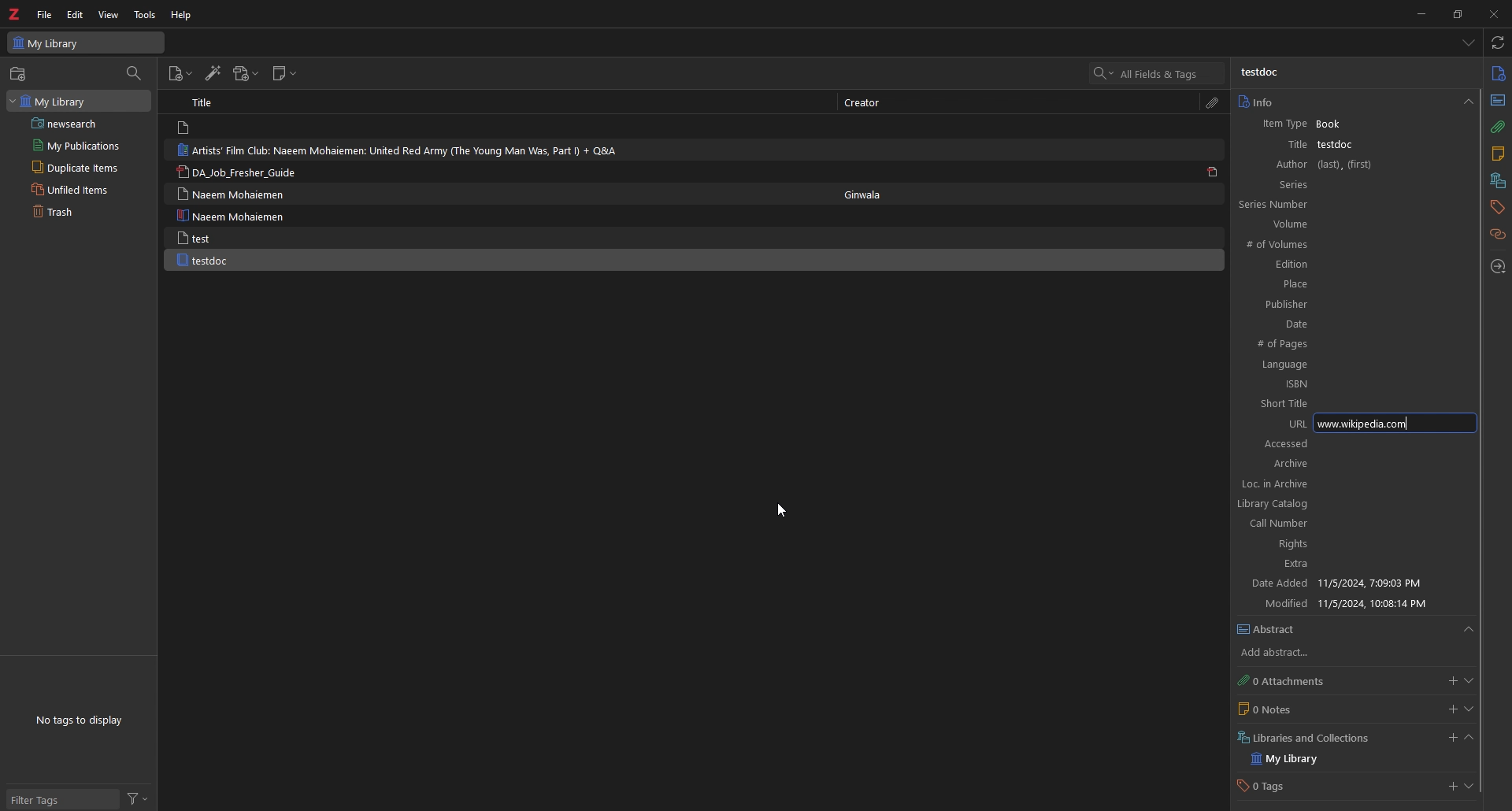 This screenshot has height=811, width=1512. Describe the element at coordinates (1329, 283) in the screenshot. I see `Place` at that location.